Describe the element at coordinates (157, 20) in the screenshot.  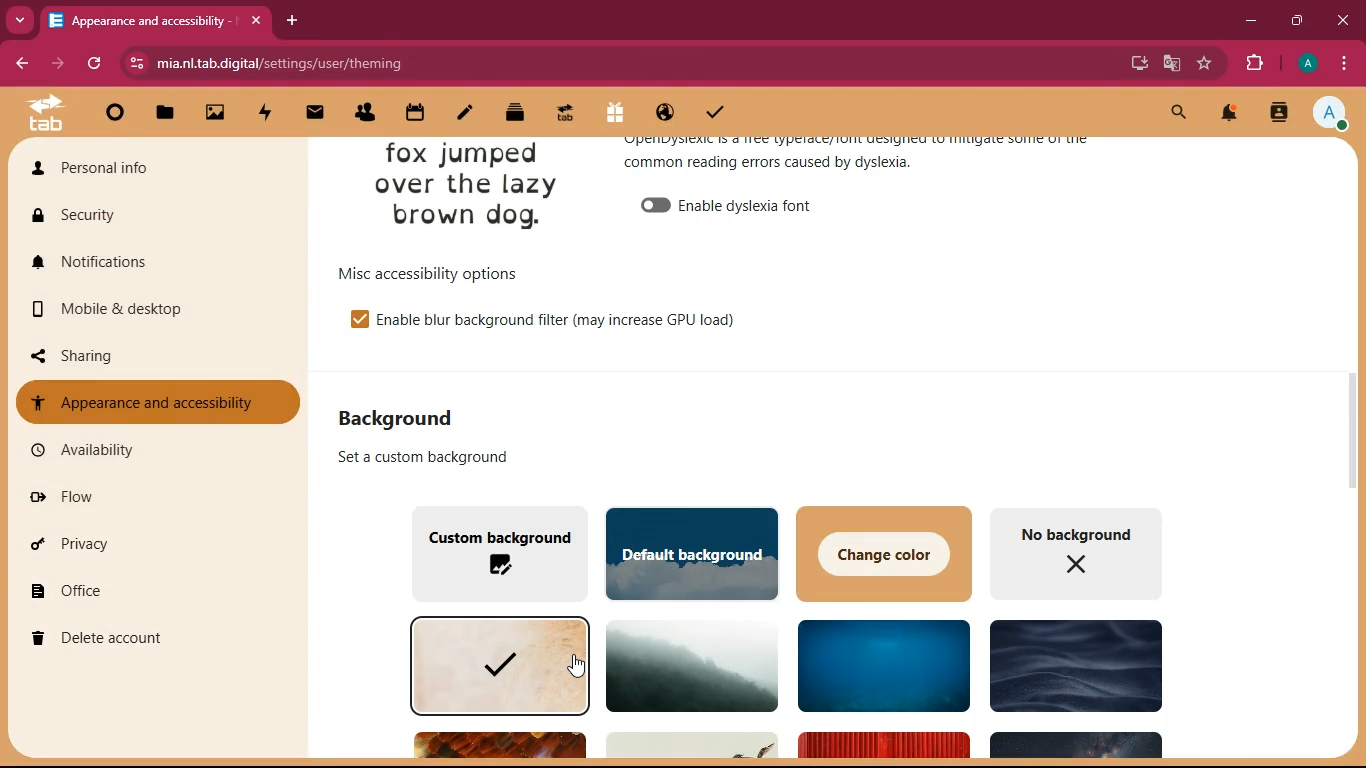
I see `tab` at that location.